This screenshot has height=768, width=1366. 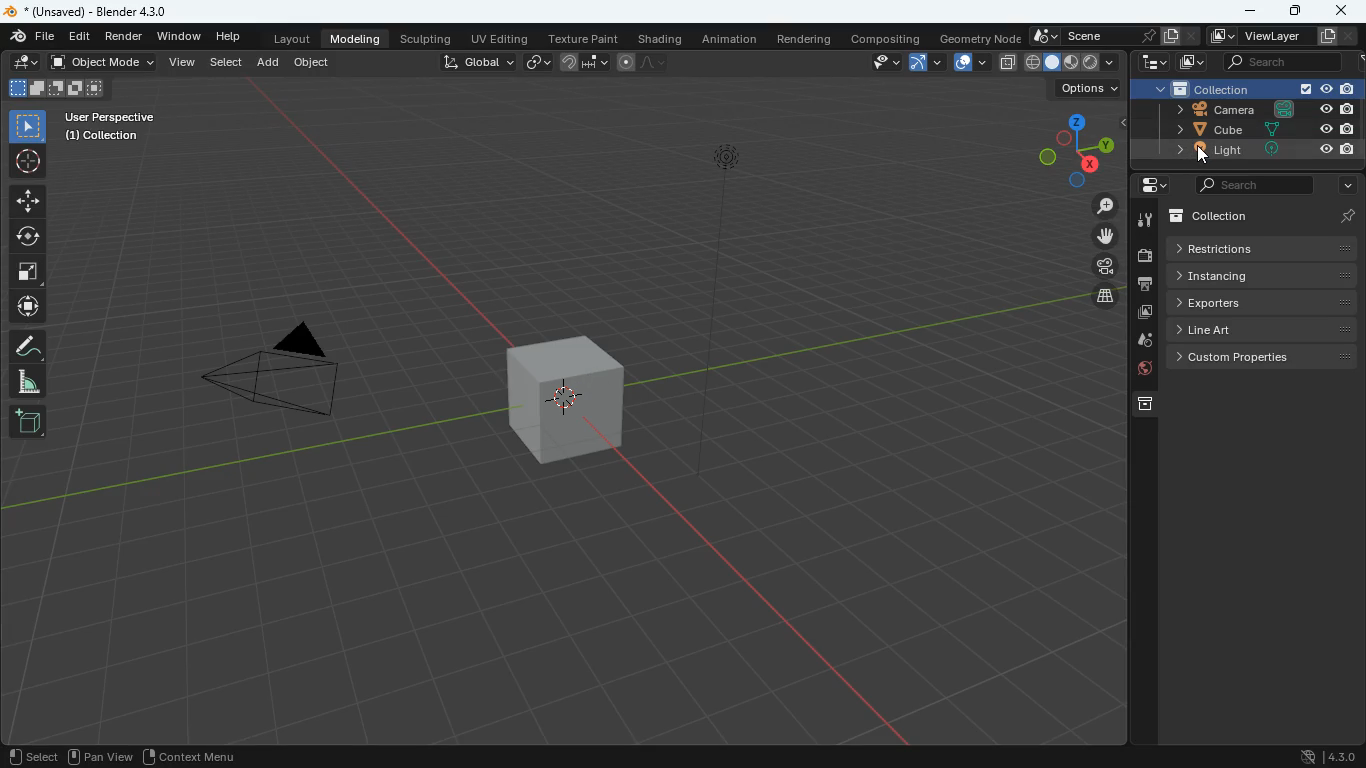 I want to click on search, so click(x=1253, y=185).